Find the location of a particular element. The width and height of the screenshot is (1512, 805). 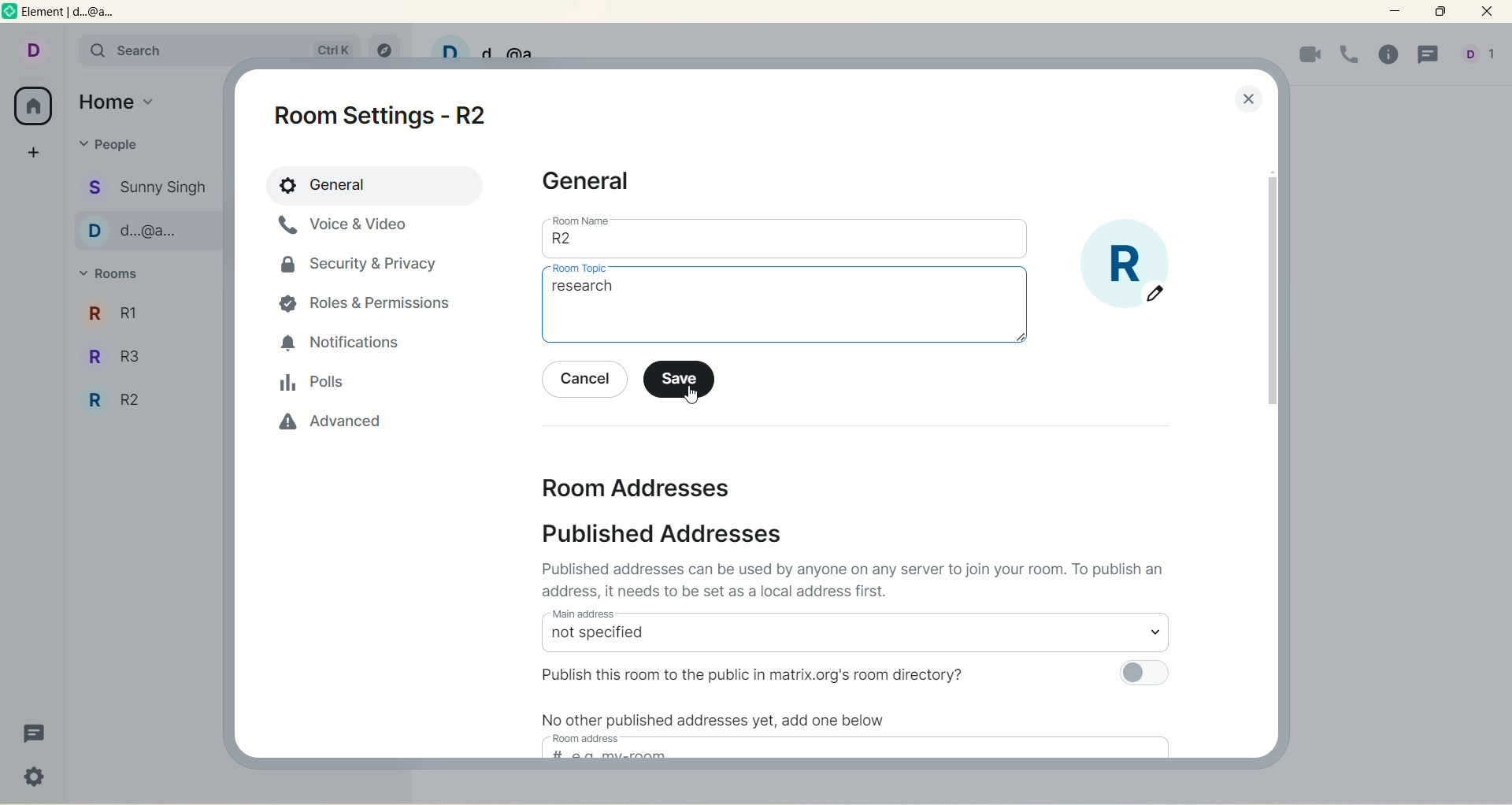

advanced is located at coordinates (323, 429).